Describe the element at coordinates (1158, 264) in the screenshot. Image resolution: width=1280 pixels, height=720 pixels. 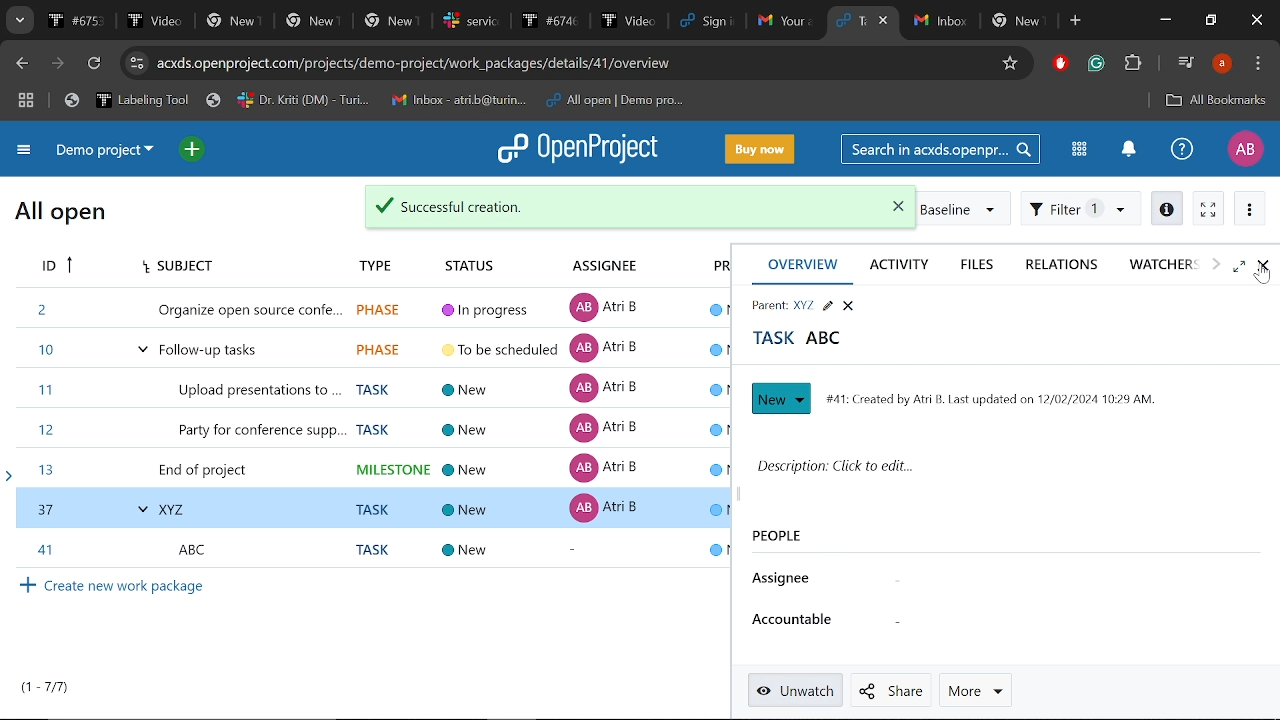
I see `Watcher` at that location.